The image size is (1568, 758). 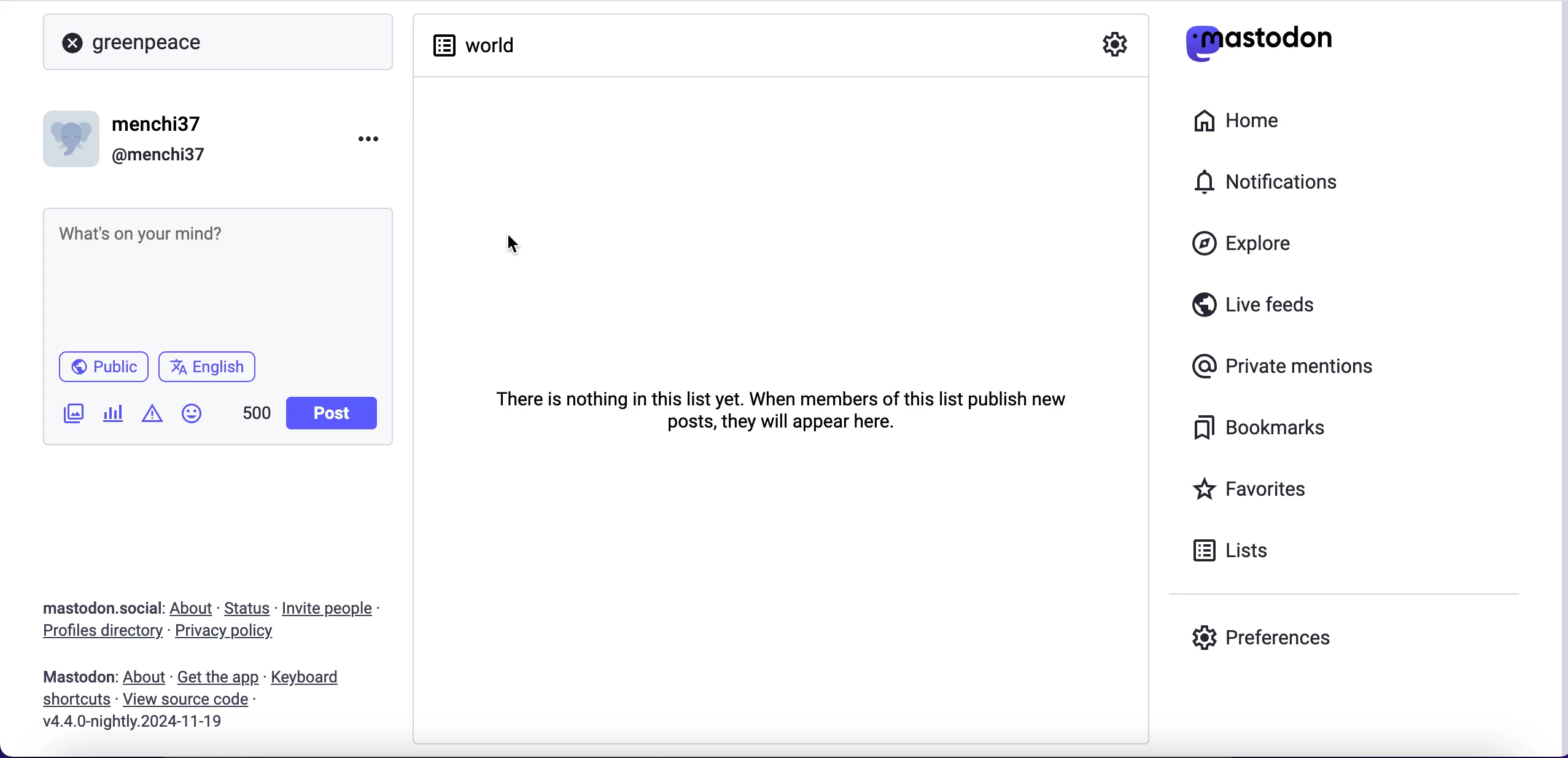 What do you see at coordinates (79, 677) in the screenshot?
I see `mastodon` at bounding box center [79, 677].